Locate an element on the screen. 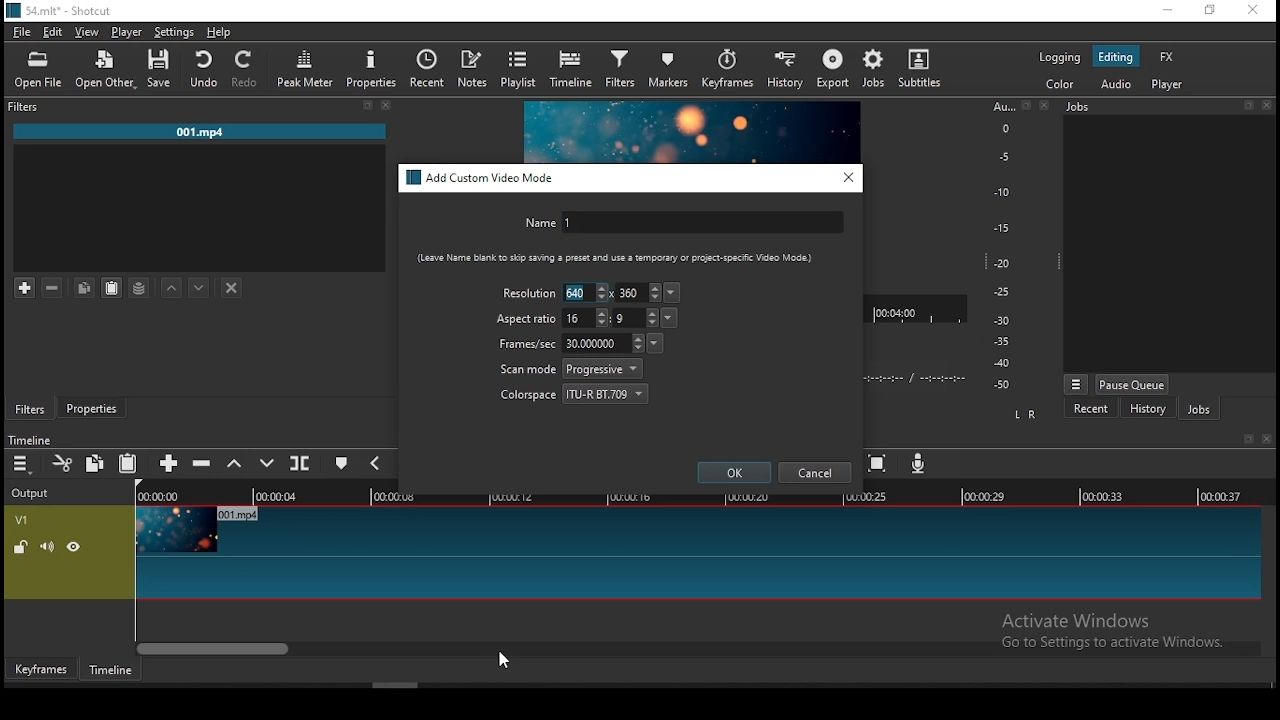 This screenshot has width=1280, height=720. minimize is located at coordinates (1167, 11).